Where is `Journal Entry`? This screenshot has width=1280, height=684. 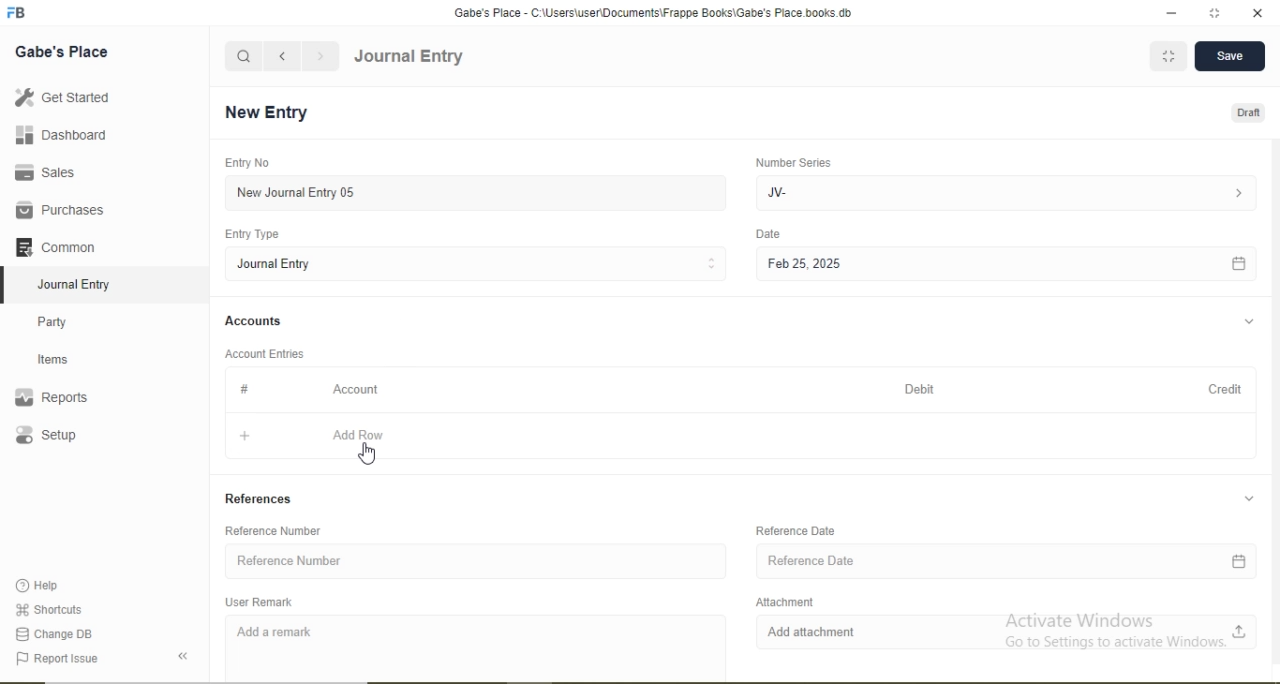 Journal Entry is located at coordinates (80, 282).